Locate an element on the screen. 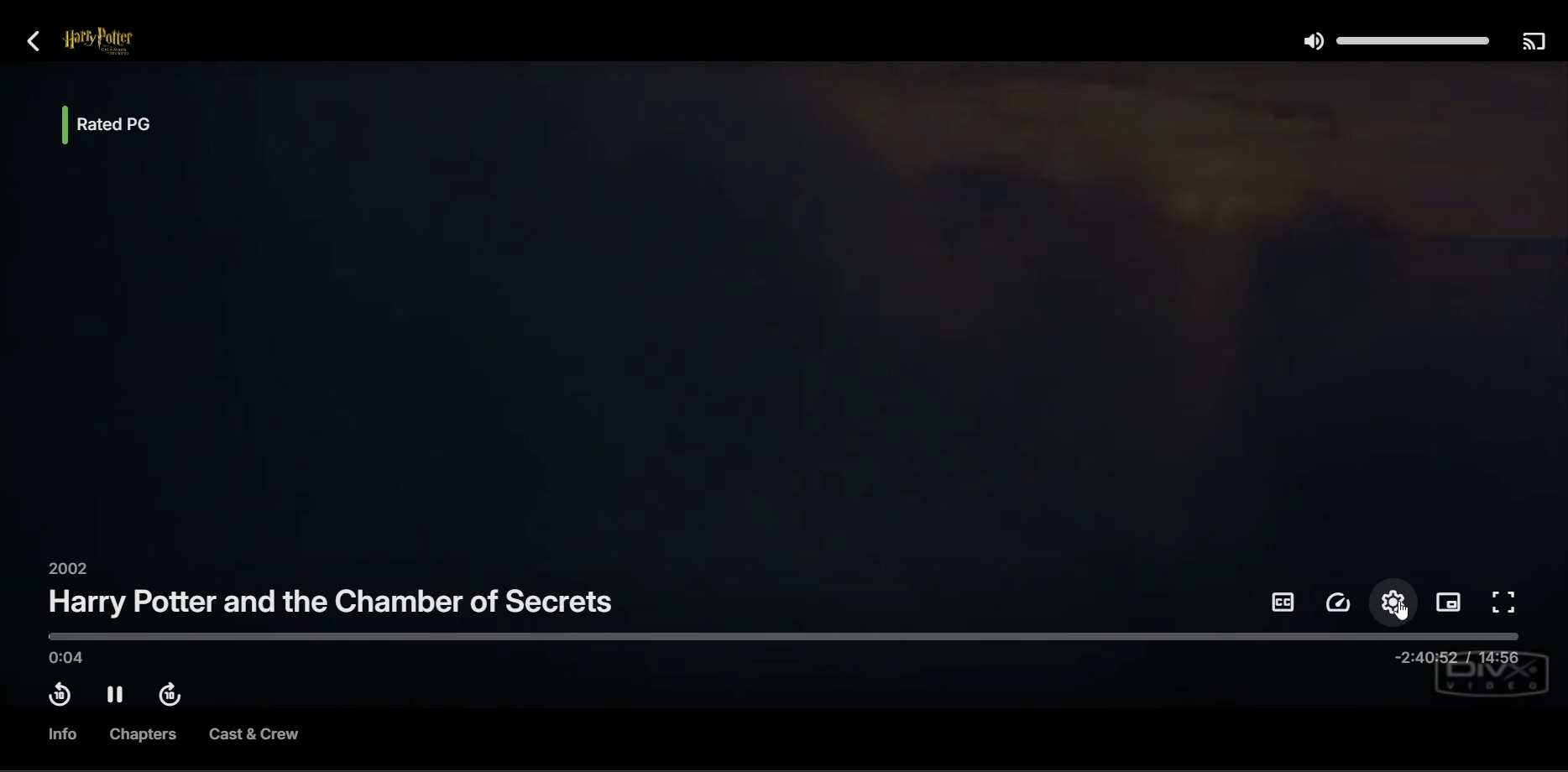 The width and height of the screenshot is (1568, 772). Movie Frame is located at coordinates (787, 313).